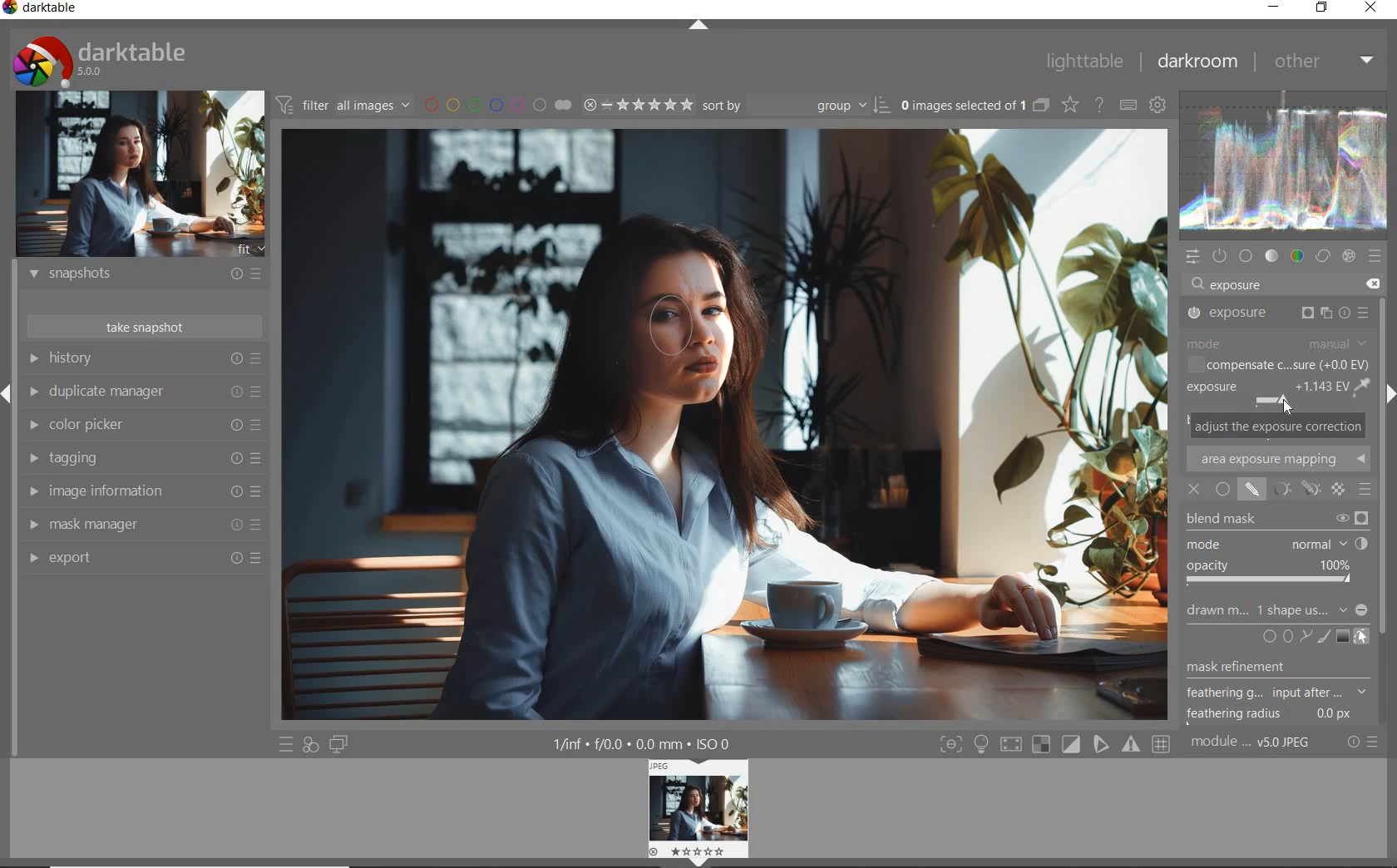 The width and height of the screenshot is (1397, 868). What do you see at coordinates (147, 274) in the screenshot?
I see `snapshots` at bounding box center [147, 274].